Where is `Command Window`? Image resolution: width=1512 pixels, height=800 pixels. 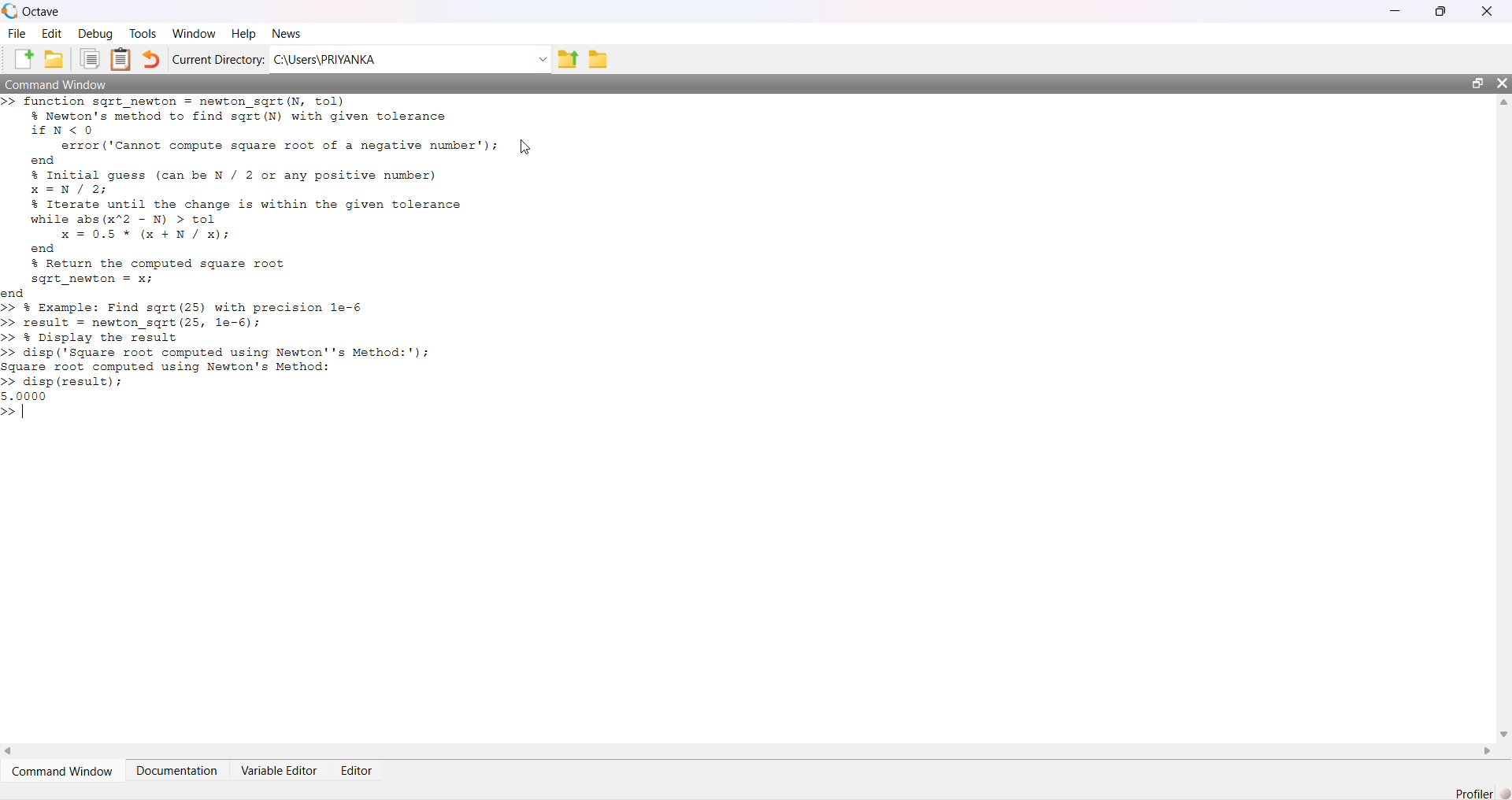
Command Window is located at coordinates (61, 85).